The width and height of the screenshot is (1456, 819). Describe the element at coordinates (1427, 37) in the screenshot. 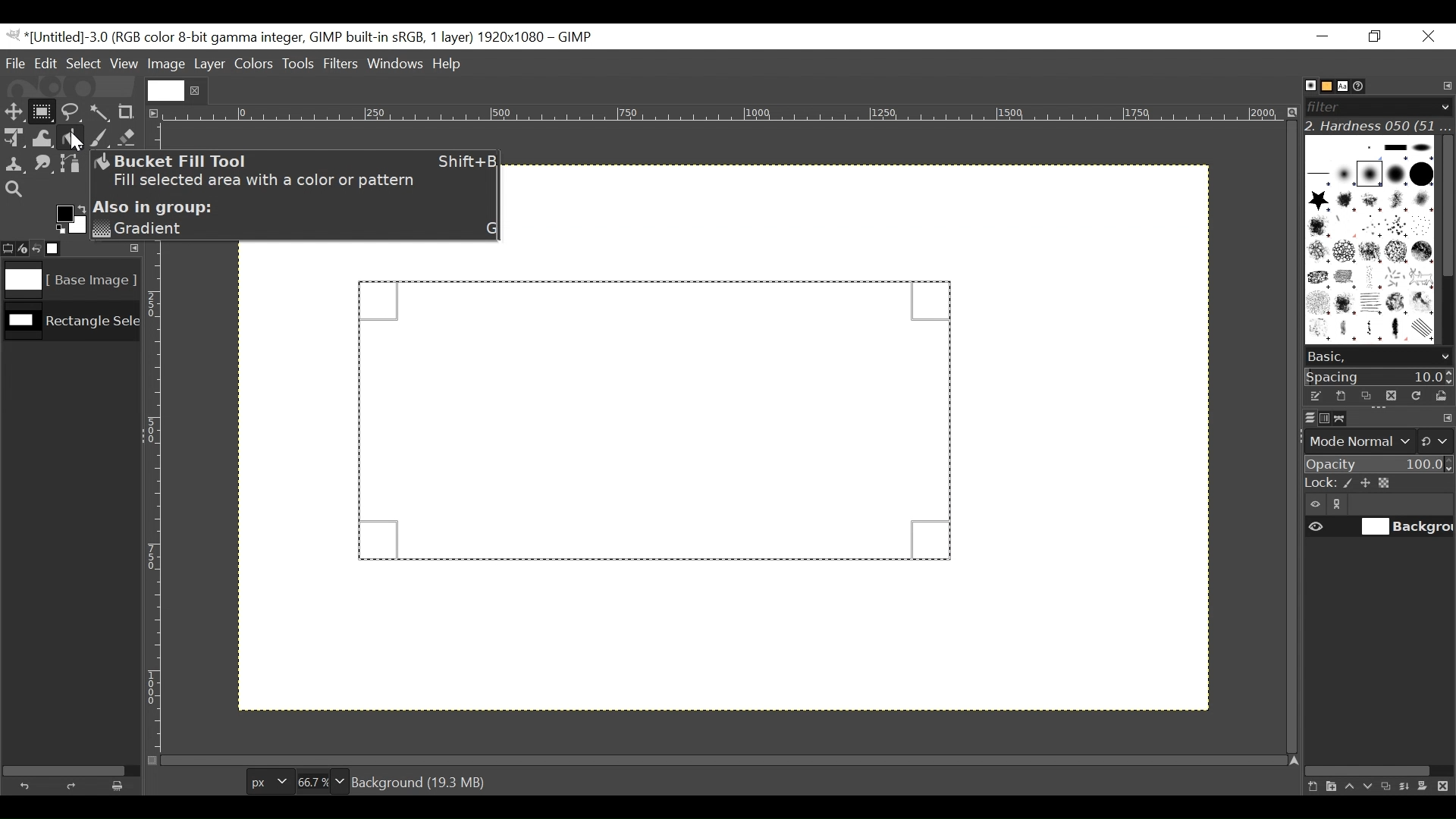

I see `Close` at that location.